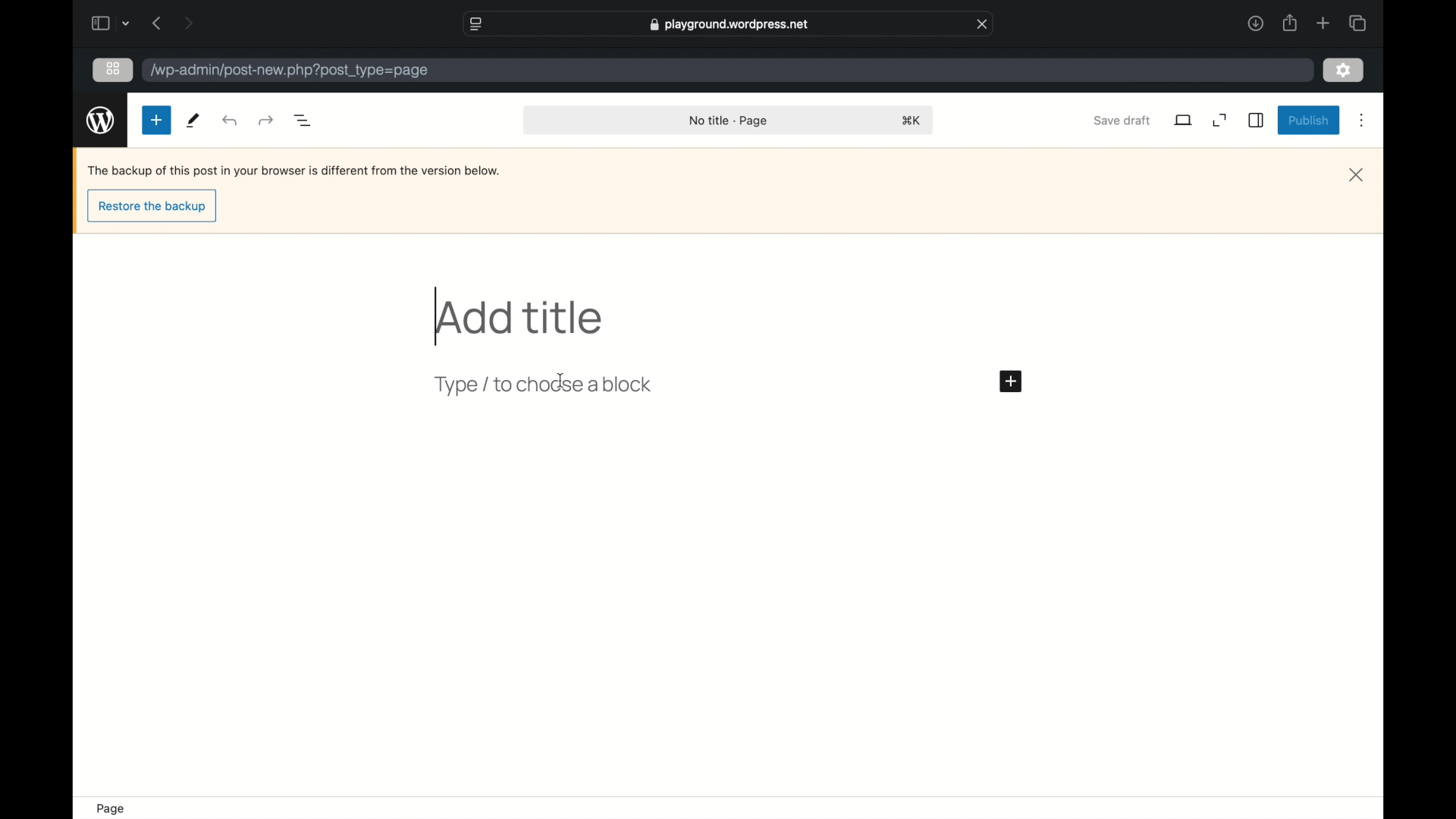  What do you see at coordinates (1309, 121) in the screenshot?
I see `publish` at bounding box center [1309, 121].